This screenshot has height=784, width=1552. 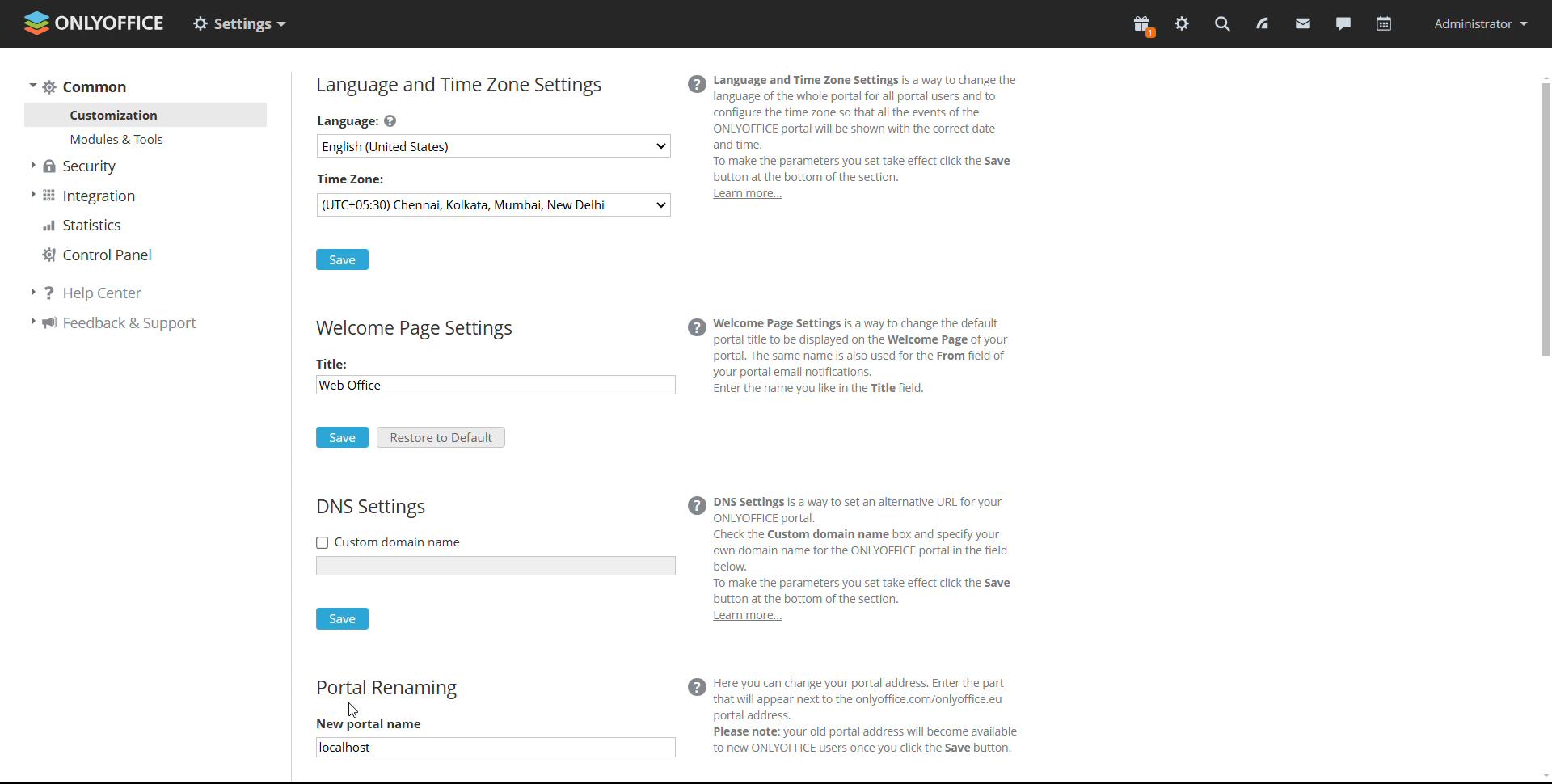 What do you see at coordinates (371, 725) in the screenshot?
I see `New portal name` at bounding box center [371, 725].